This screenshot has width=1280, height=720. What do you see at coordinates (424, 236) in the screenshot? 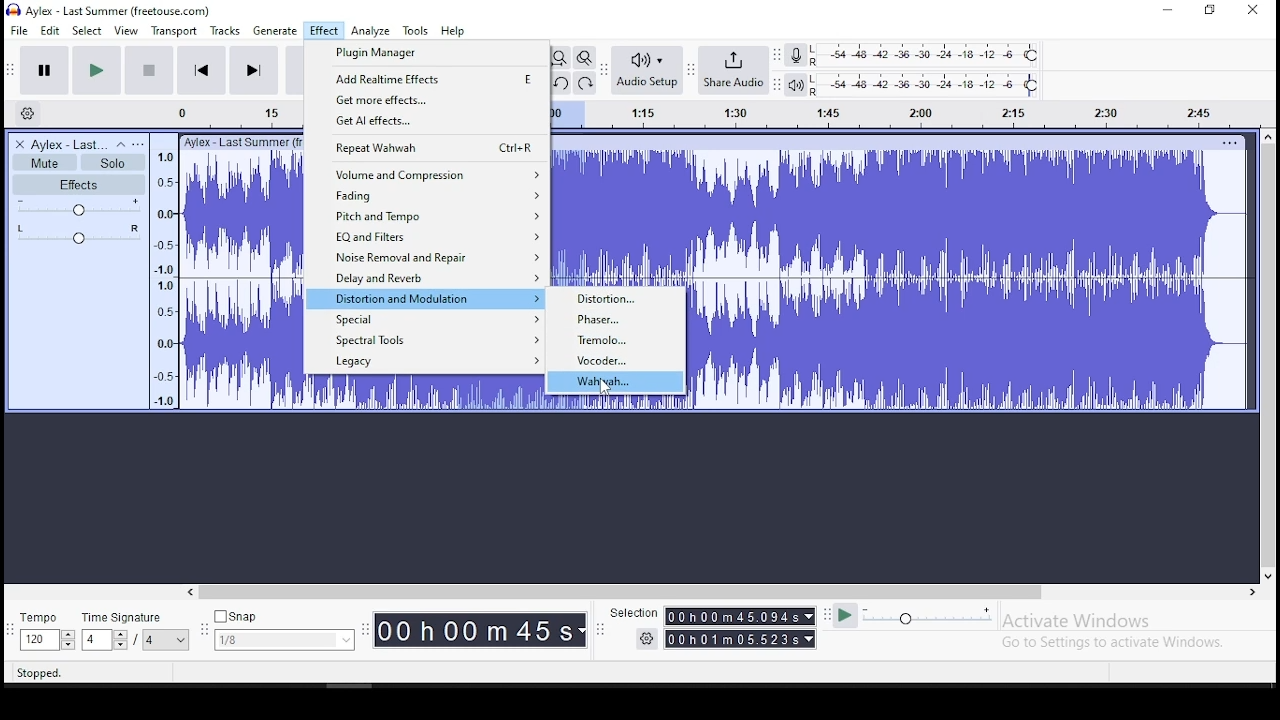
I see `EQ and filters` at bounding box center [424, 236].